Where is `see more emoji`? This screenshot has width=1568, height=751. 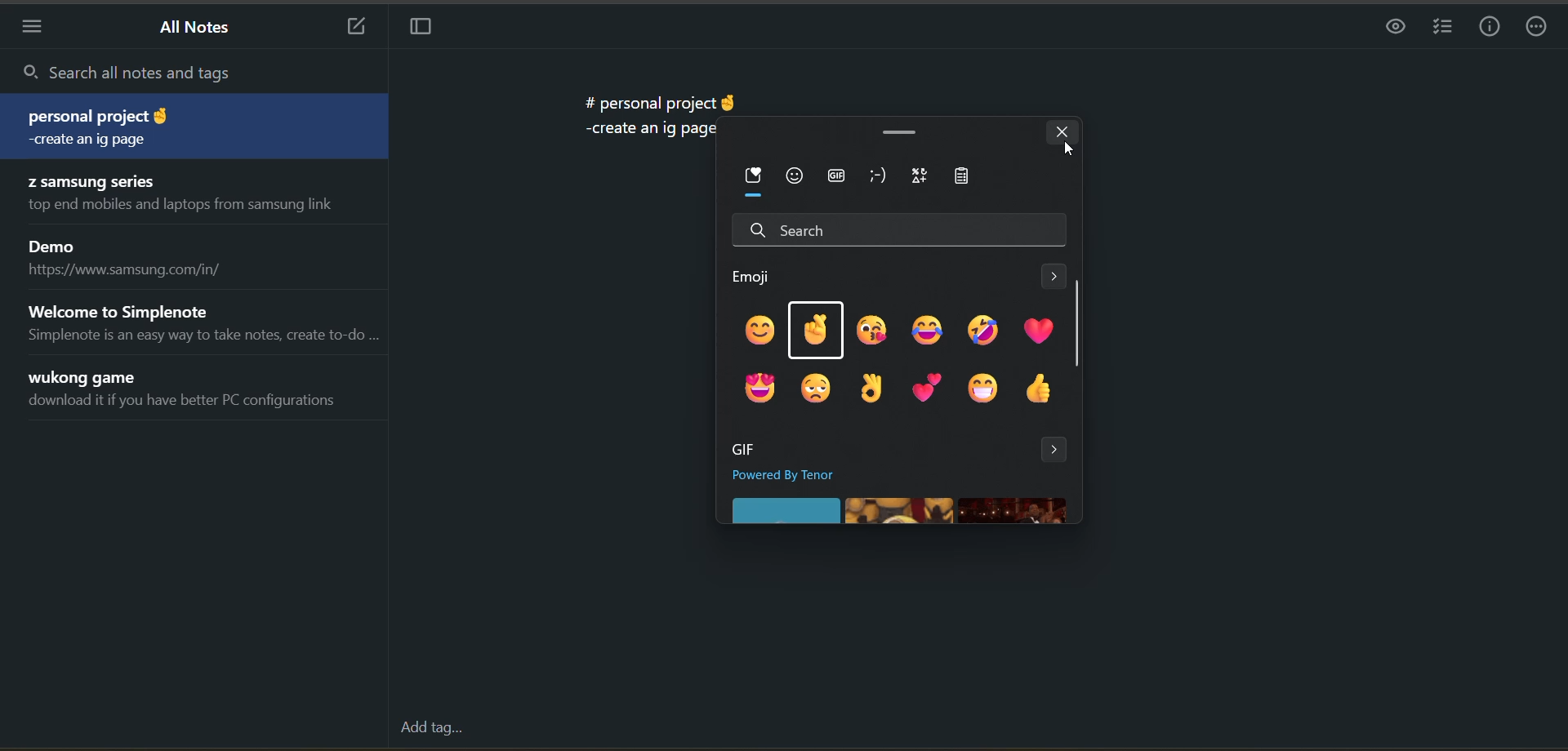 see more emoji is located at coordinates (1054, 277).